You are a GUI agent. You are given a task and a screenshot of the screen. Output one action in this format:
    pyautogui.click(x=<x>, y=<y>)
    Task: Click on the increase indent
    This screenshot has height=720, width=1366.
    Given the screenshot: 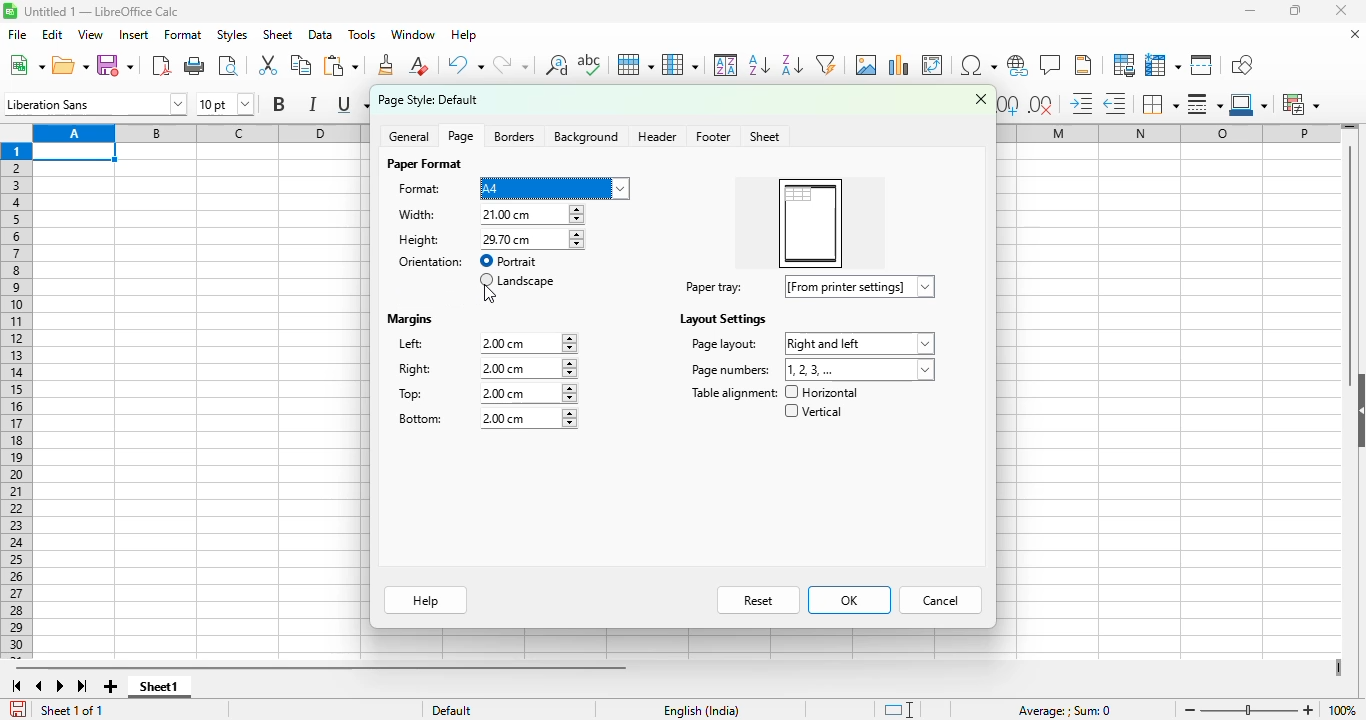 What is the action you would take?
    pyautogui.click(x=1081, y=103)
    